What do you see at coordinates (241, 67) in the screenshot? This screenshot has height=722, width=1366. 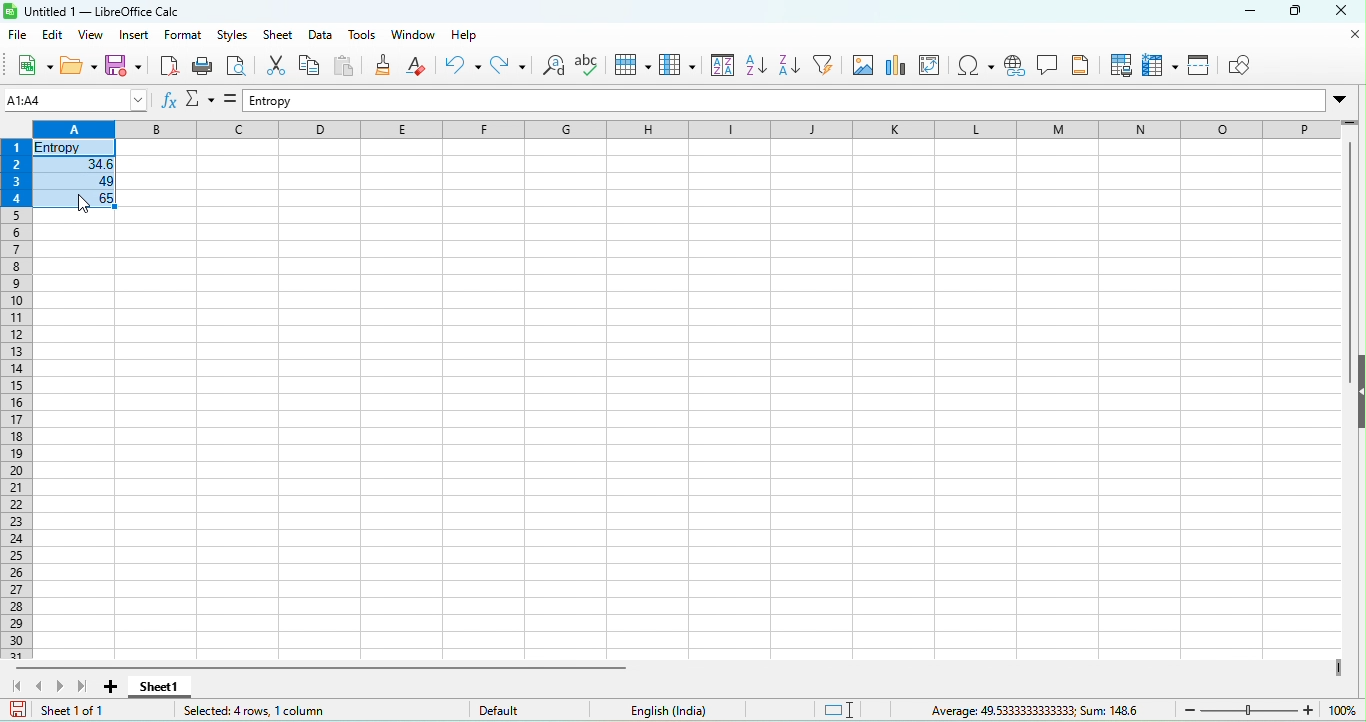 I see `print preview` at bounding box center [241, 67].